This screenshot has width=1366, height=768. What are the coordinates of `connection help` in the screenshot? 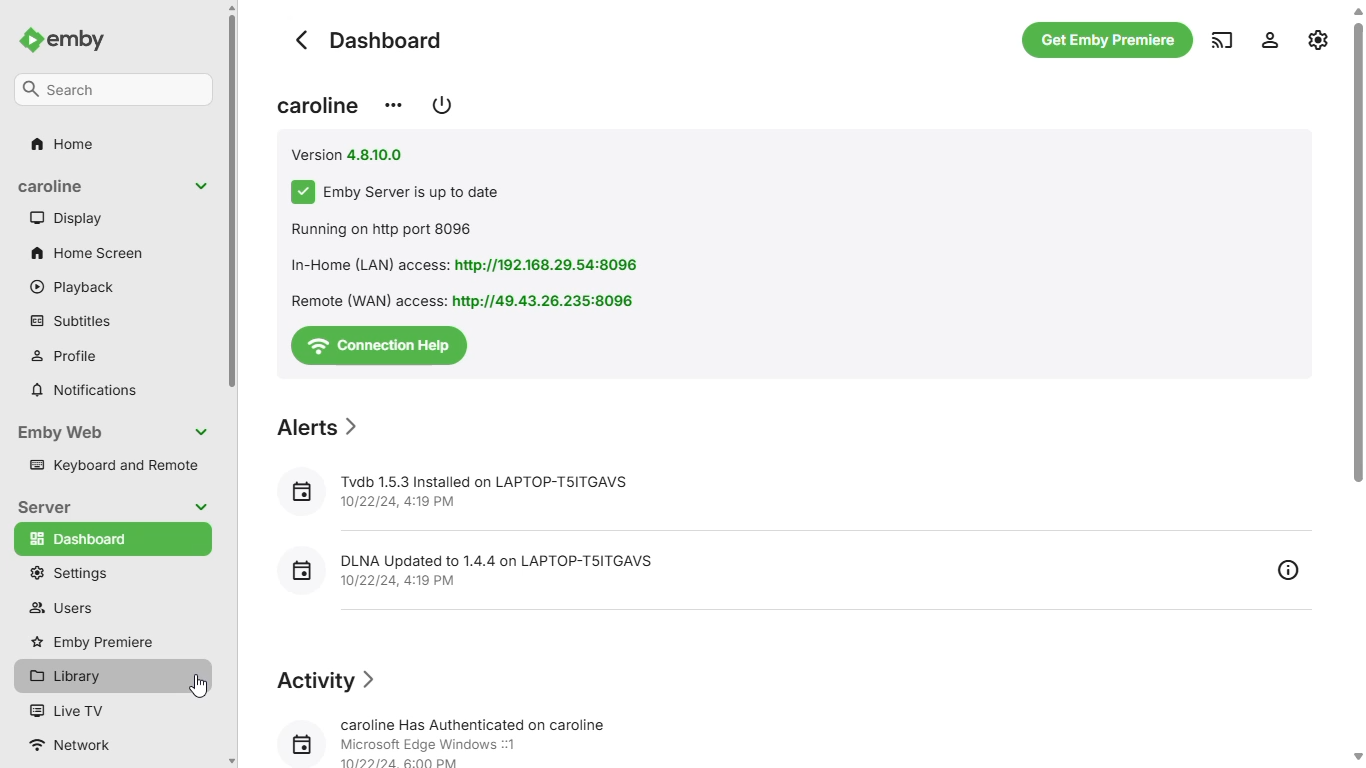 It's located at (379, 345).